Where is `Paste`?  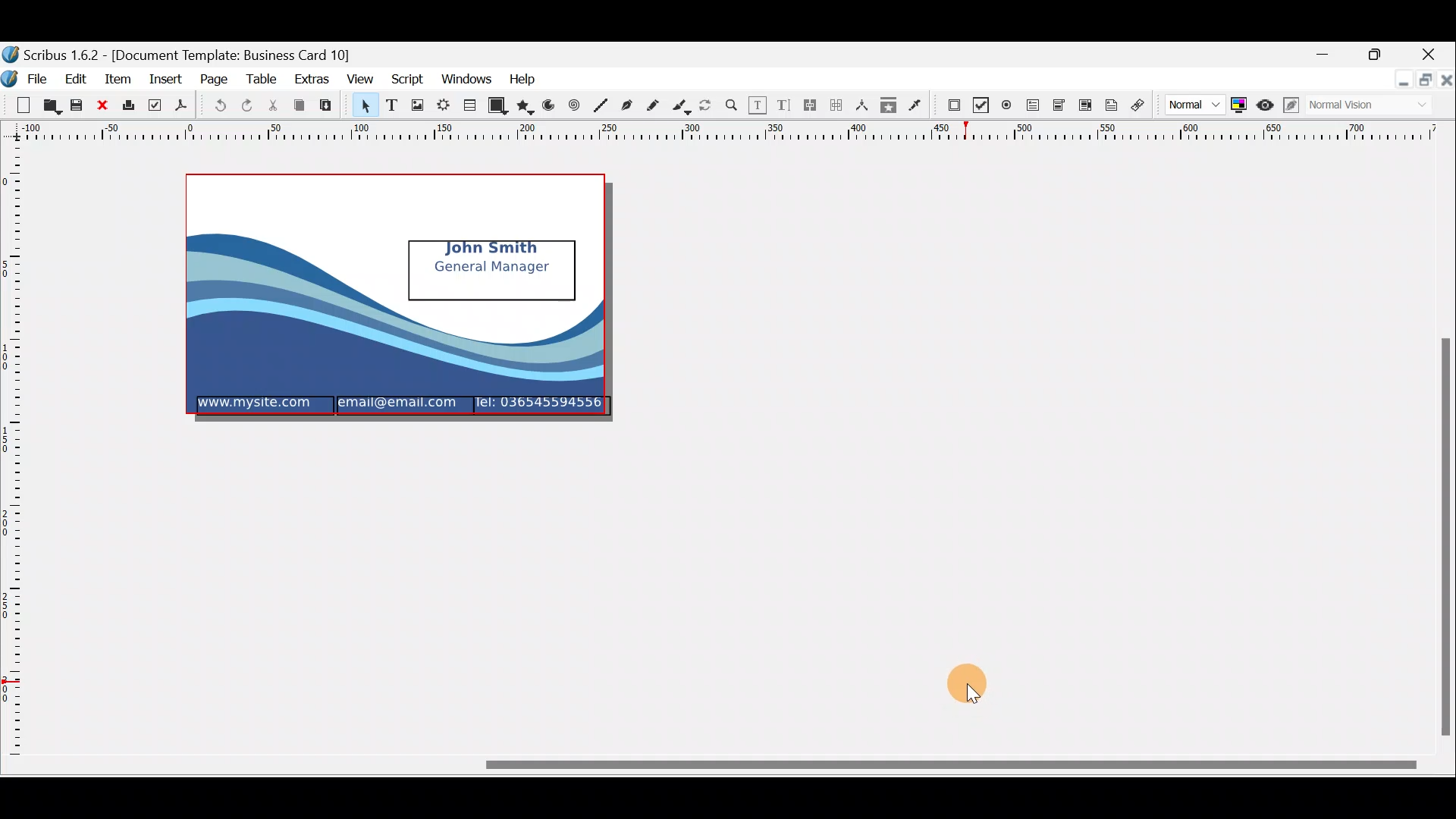 Paste is located at coordinates (325, 105).